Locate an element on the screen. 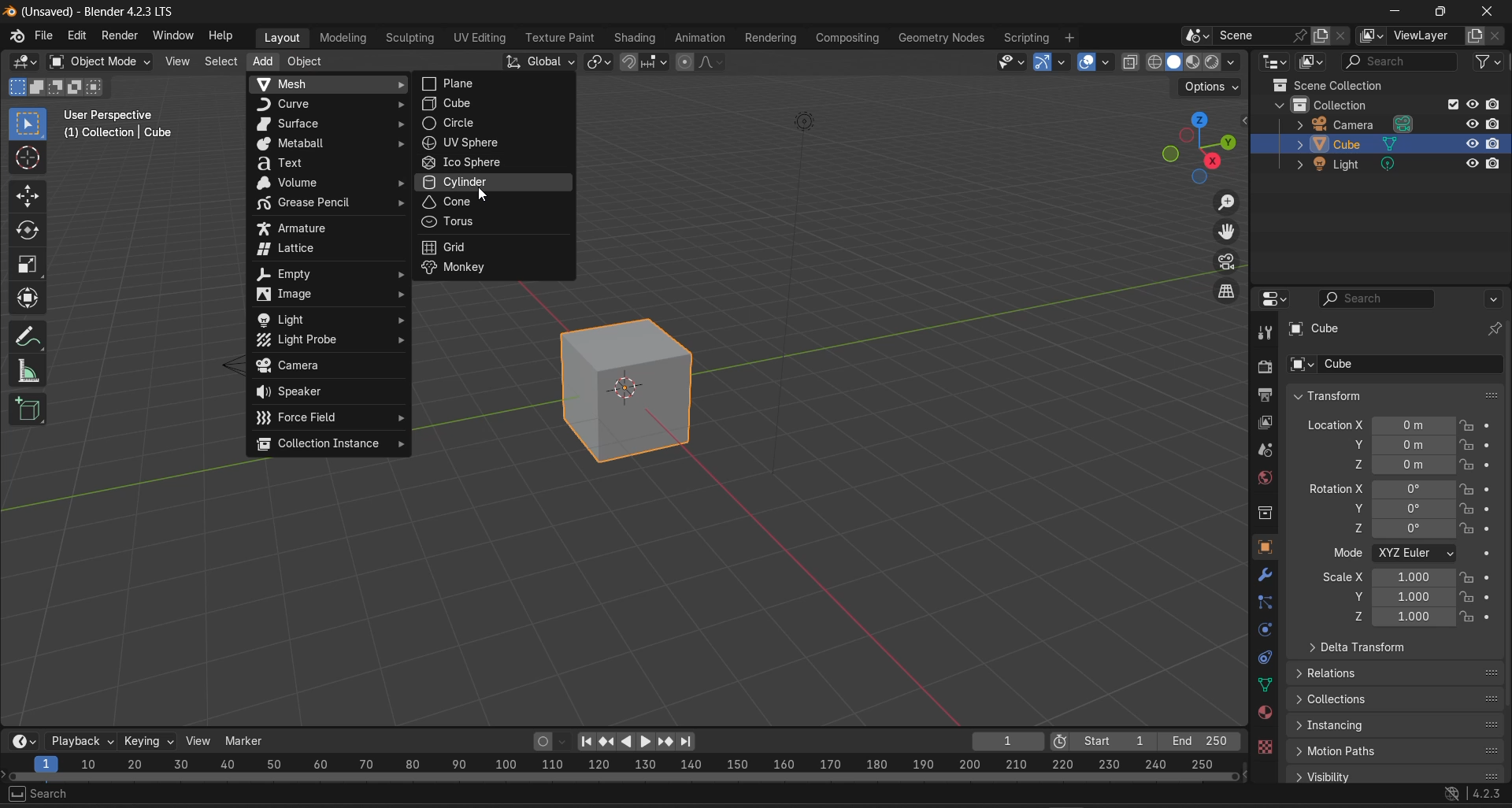 The width and height of the screenshot is (1512, 808). name scene data-block is located at coordinates (1253, 36).